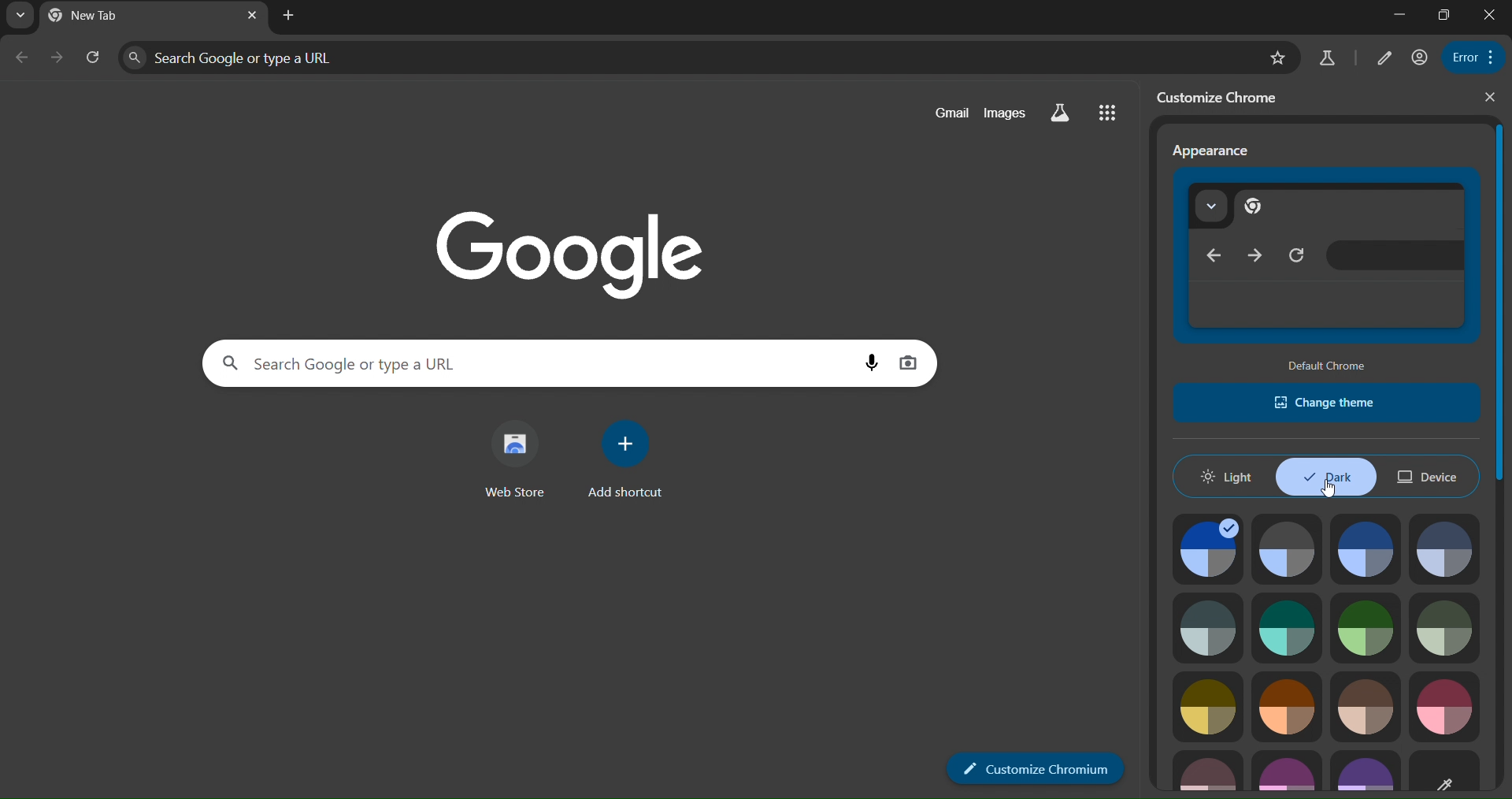 The image size is (1512, 799). Describe the element at coordinates (1419, 58) in the screenshot. I see `account` at that location.